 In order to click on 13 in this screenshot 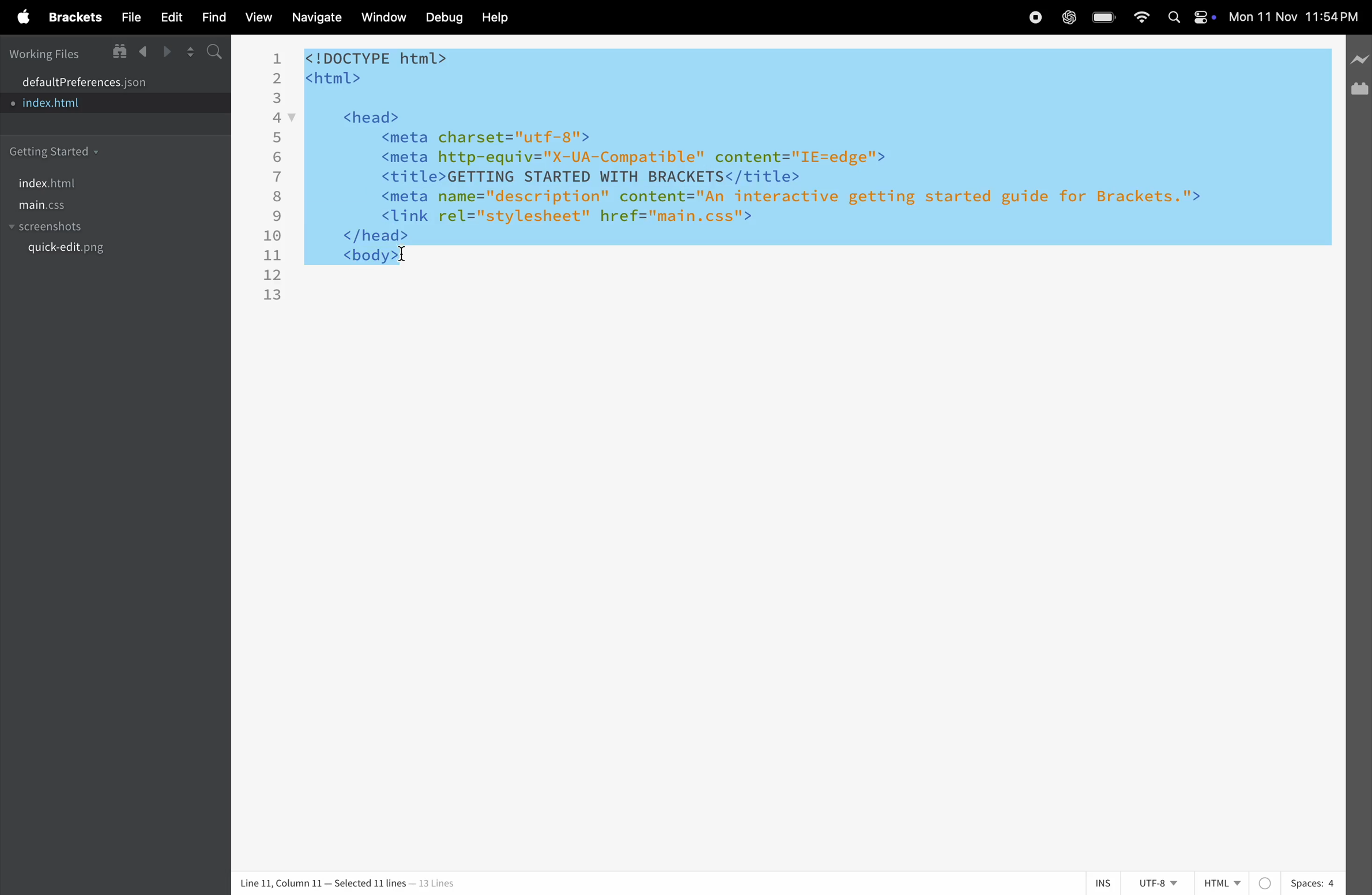, I will do `click(274, 296)`.